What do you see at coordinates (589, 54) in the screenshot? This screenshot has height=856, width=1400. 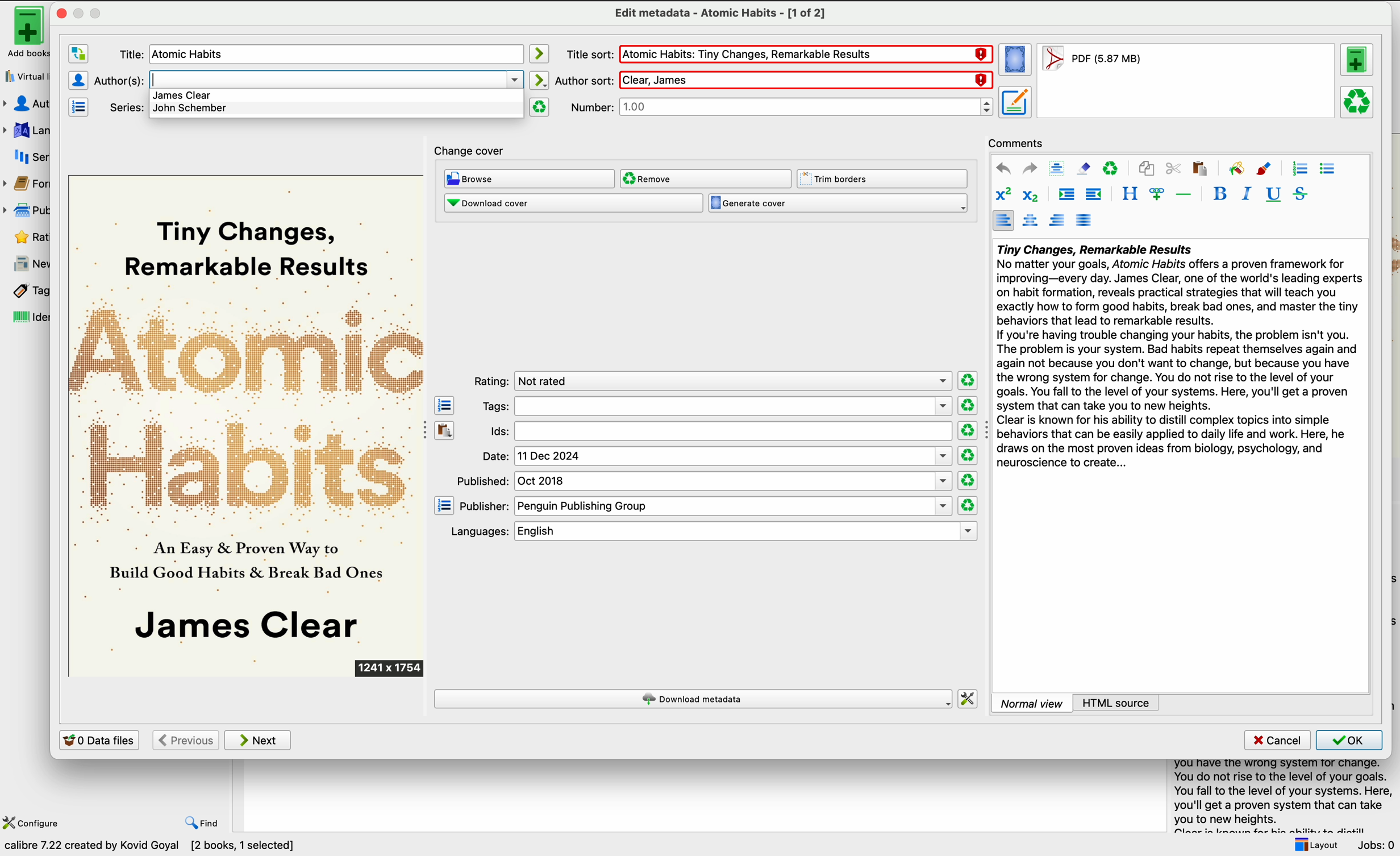 I see `title sort:` at bounding box center [589, 54].